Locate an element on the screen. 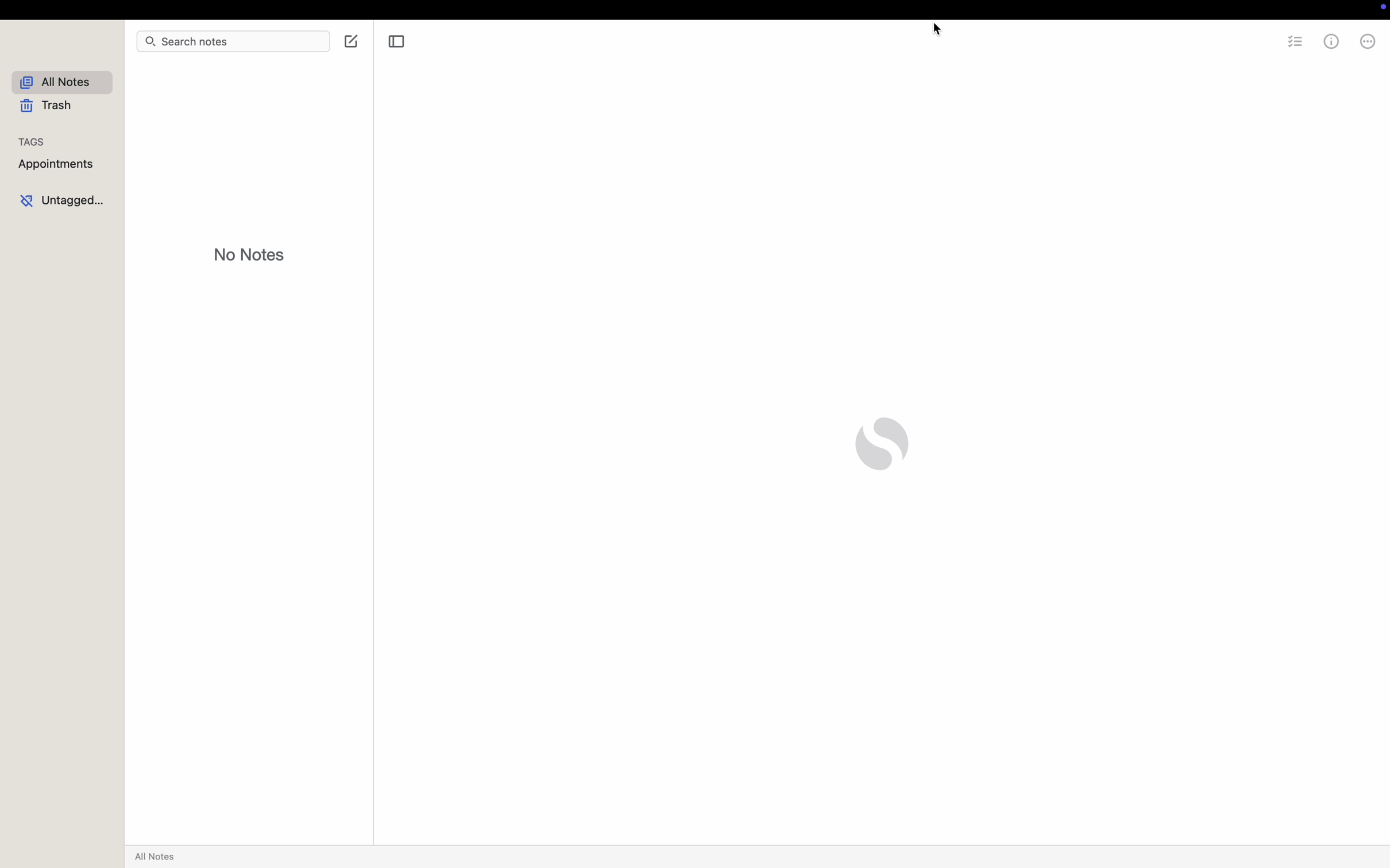  create note is located at coordinates (352, 44).